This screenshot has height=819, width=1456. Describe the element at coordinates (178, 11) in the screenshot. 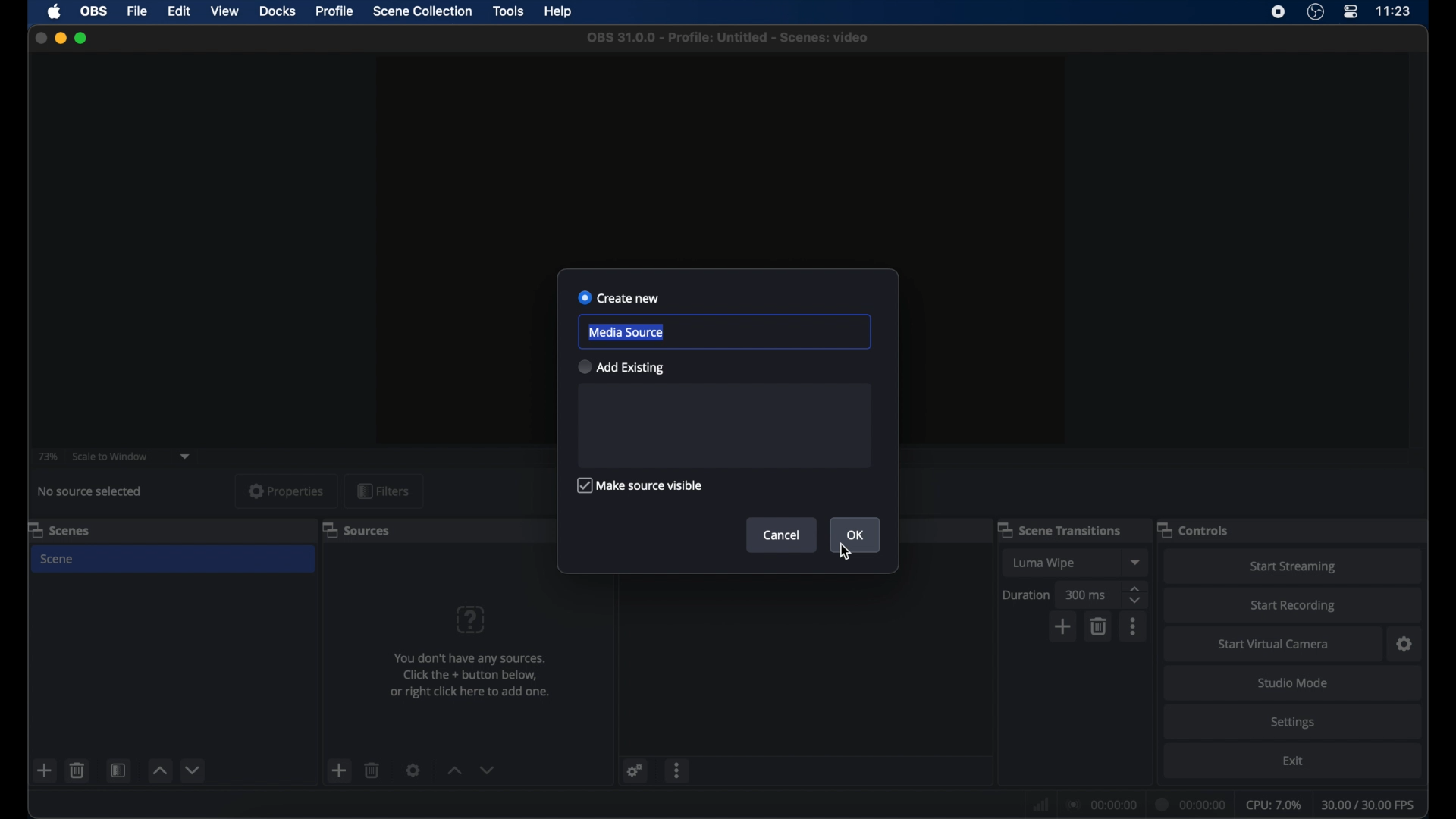

I see `edit` at that location.